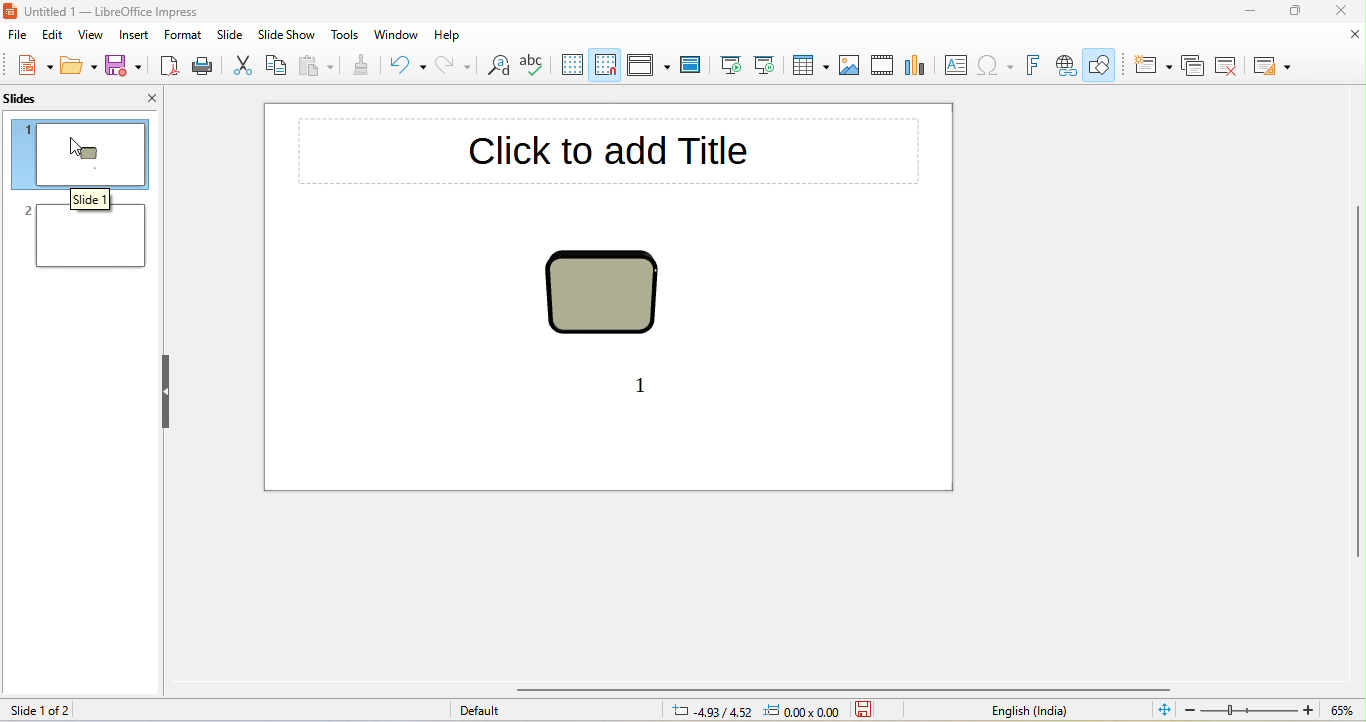 The width and height of the screenshot is (1366, 722). I want to click on show draw function, so click(1104, 66).